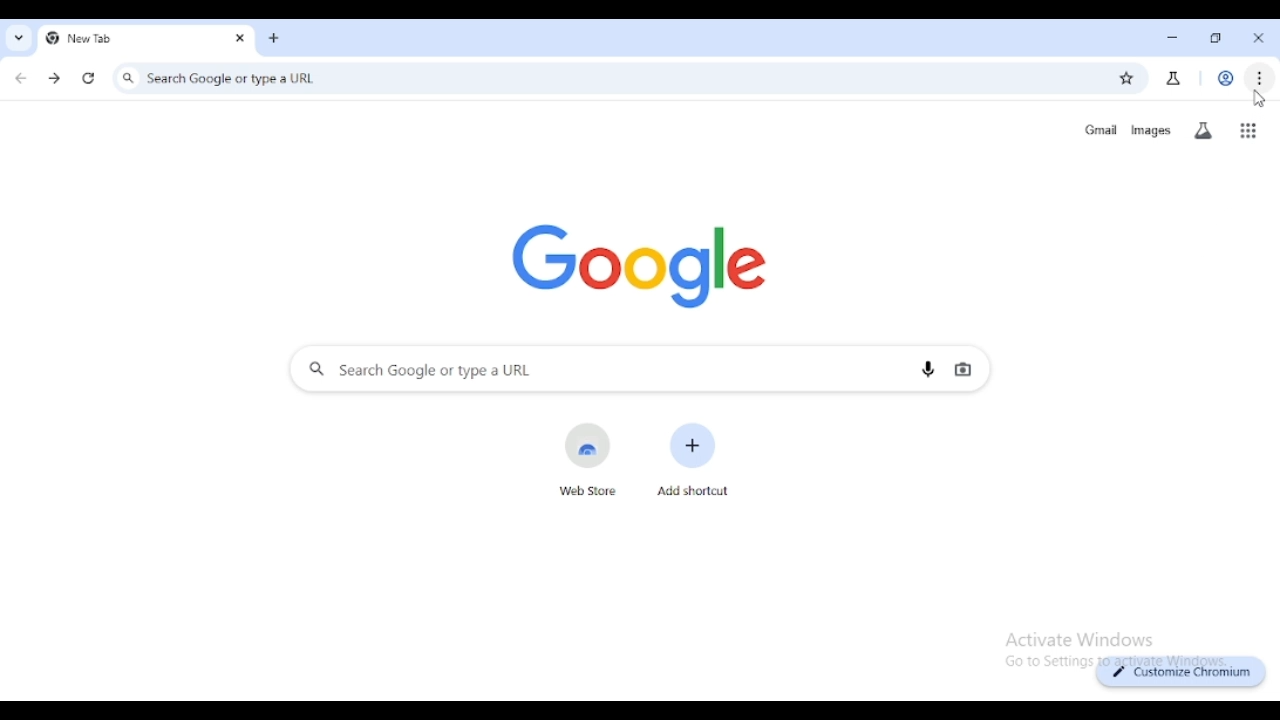  What do you see at coordinates (1082, 639) in the screenshot?
I see `` at bounding box center [1082, 639].